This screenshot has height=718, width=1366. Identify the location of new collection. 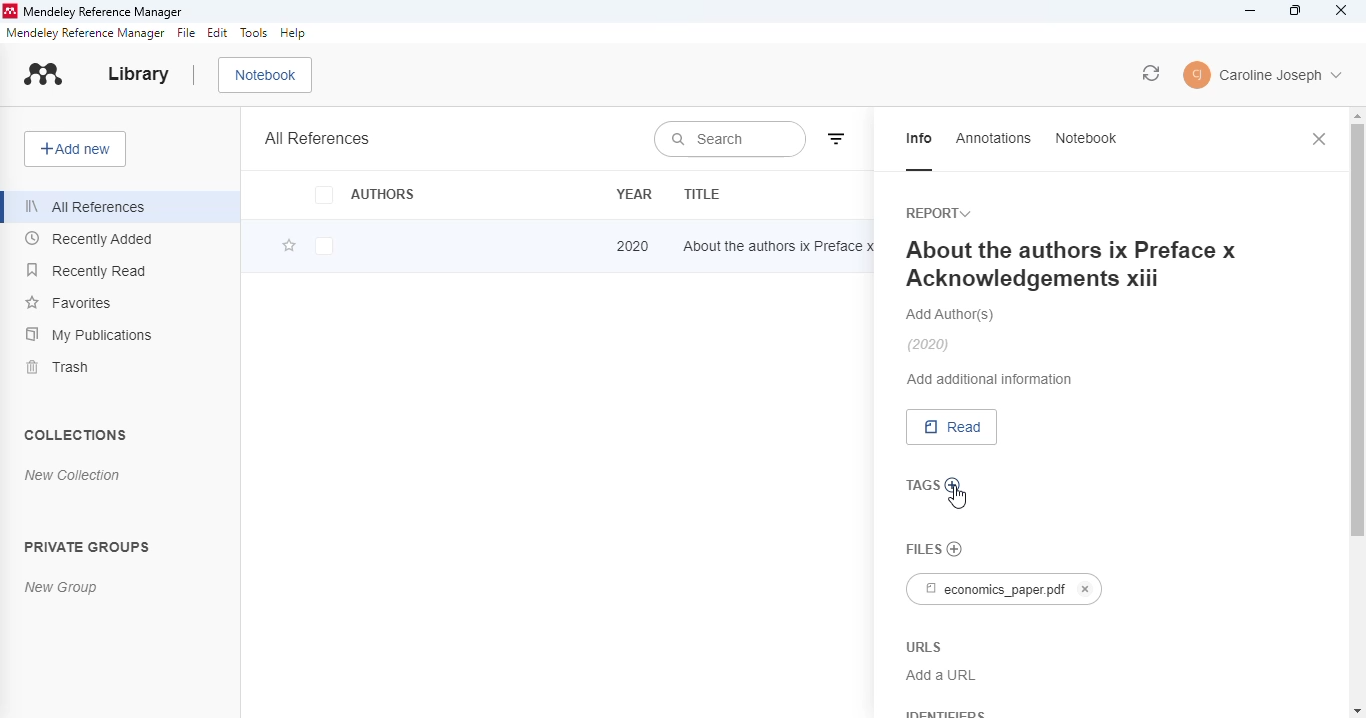
(73, 475).